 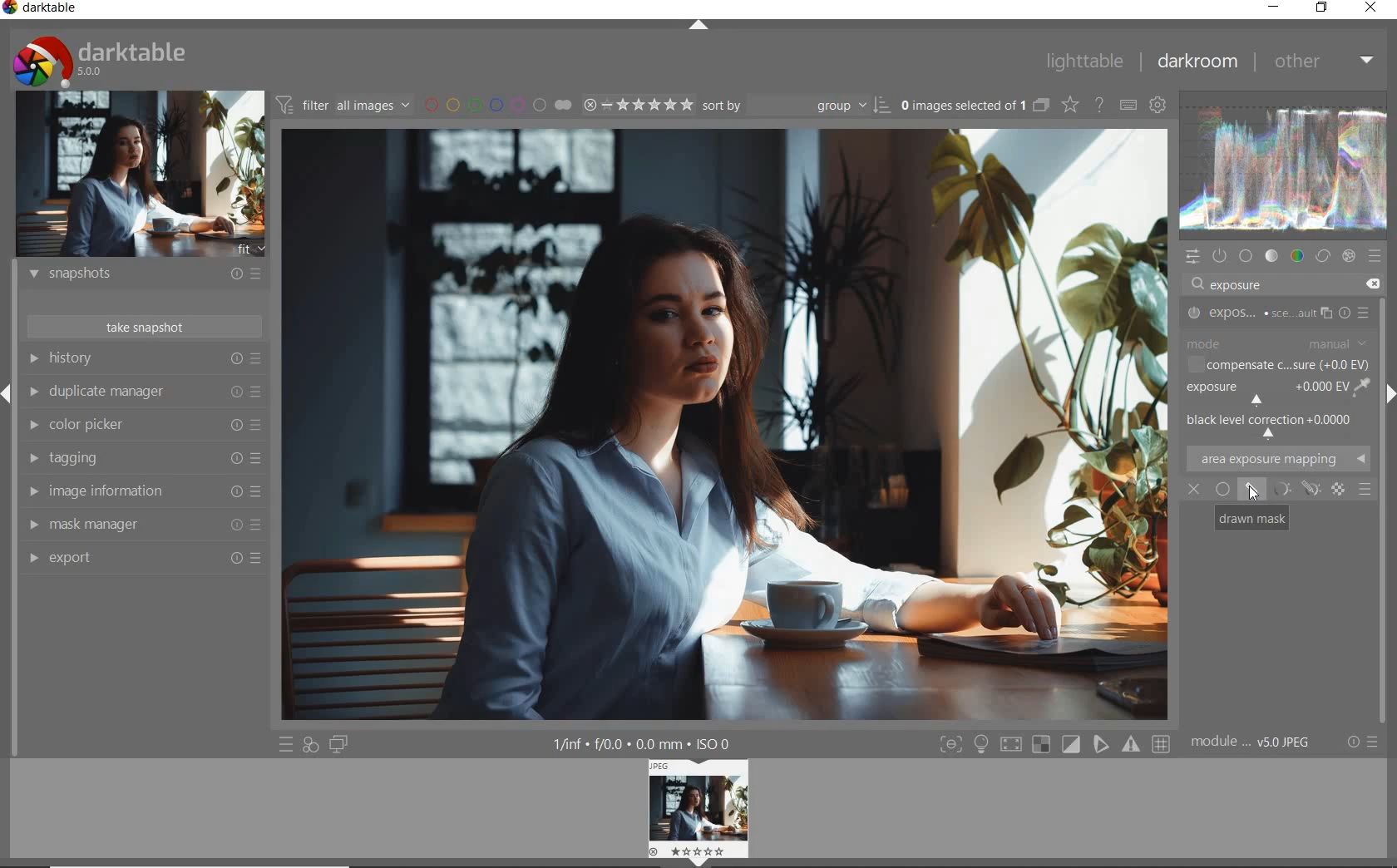 I want to click on delete, so click(x=1376, y=284).